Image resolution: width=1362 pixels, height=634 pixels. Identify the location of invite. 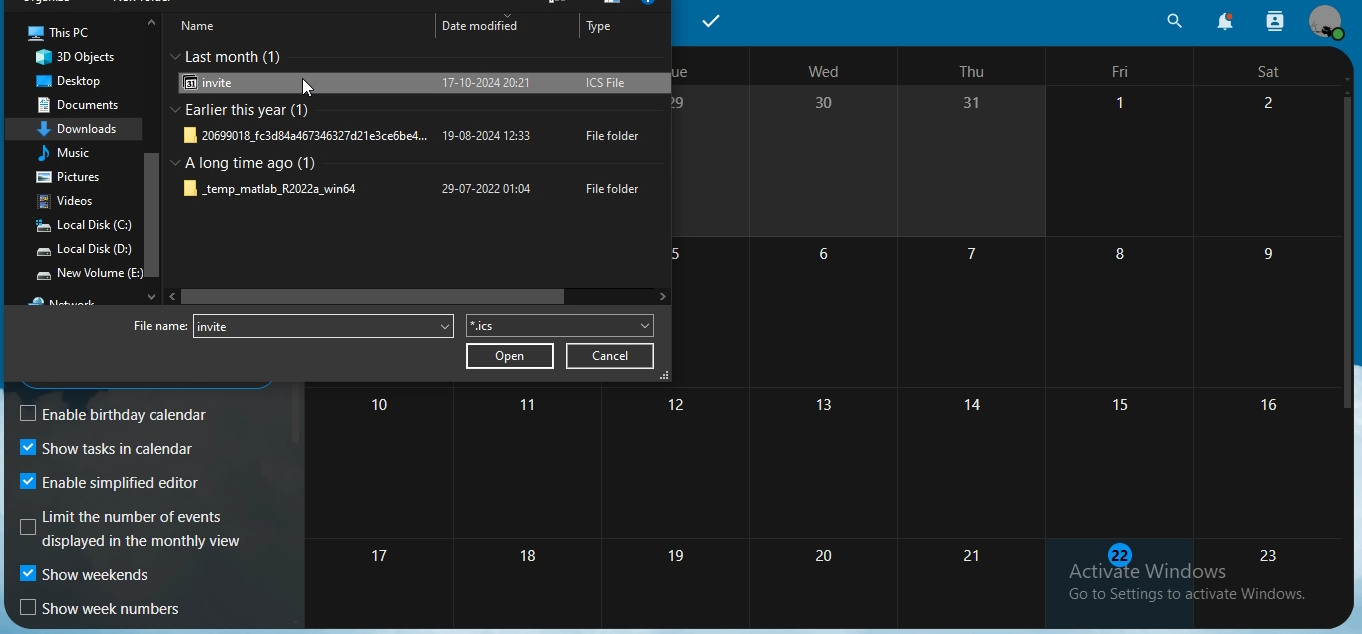
(322, 327).